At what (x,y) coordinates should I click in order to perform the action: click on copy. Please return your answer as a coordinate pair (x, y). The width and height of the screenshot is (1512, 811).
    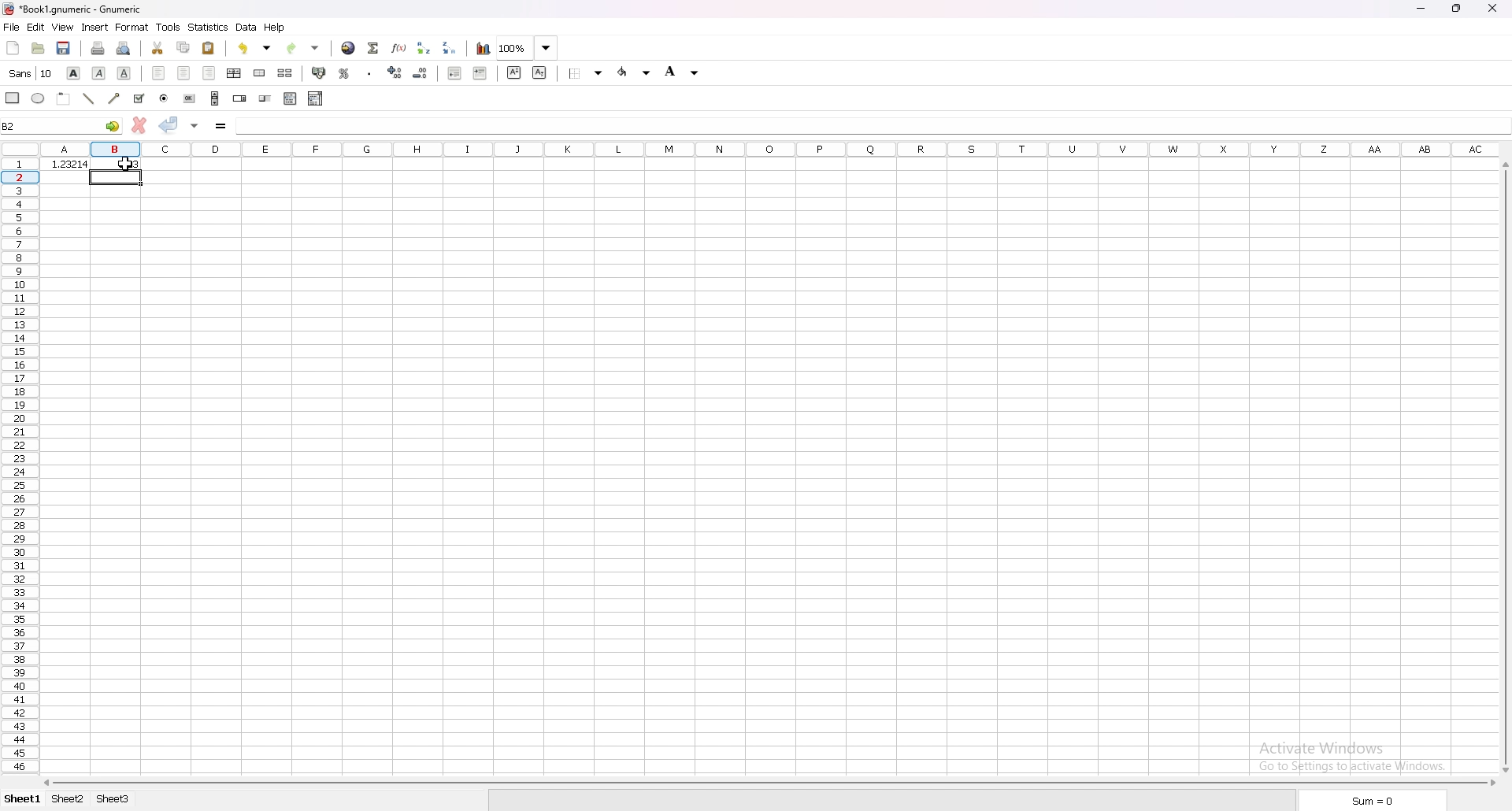
    Looking at the image, I should click on (183, 47).